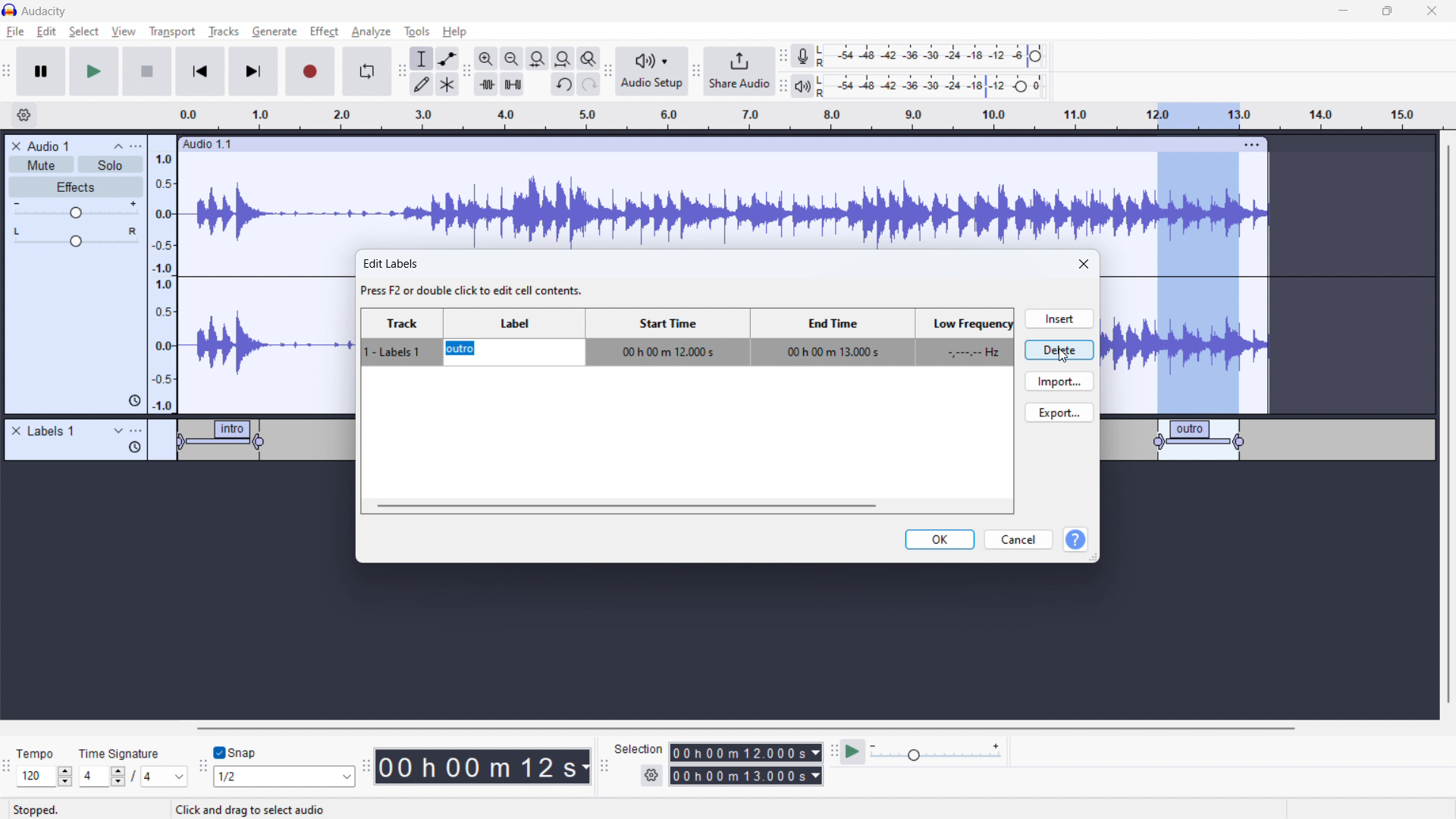  Describe the element at coordinates (366, 768) in the screenshot. I see `time toolbar` at that location.